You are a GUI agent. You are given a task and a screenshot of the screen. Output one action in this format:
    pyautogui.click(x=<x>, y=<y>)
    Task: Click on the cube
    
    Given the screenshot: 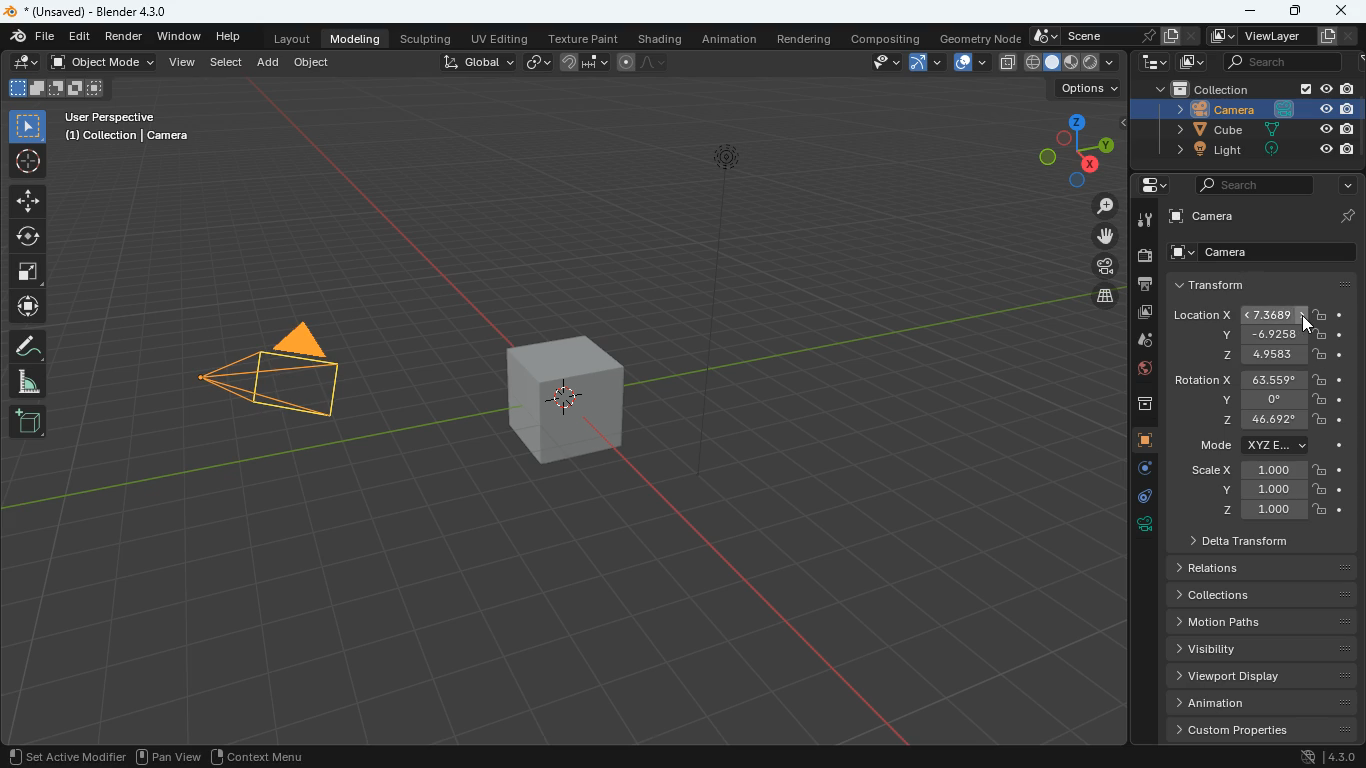 What is the action you would take?
    pyautogui.click(x=572, y=397)
    